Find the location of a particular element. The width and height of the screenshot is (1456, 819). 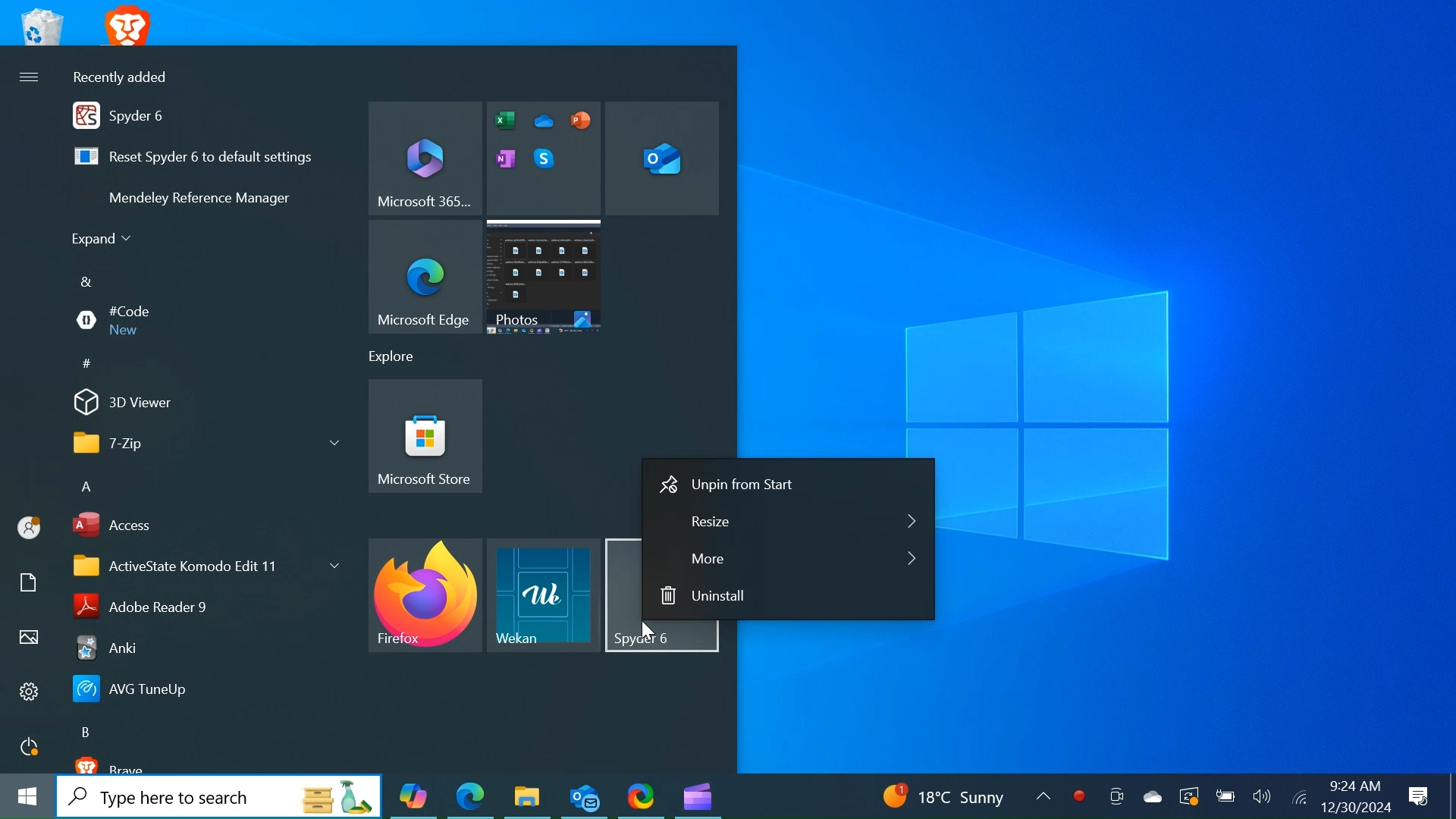

Spyder 6 is located at coordinates (207, 115).